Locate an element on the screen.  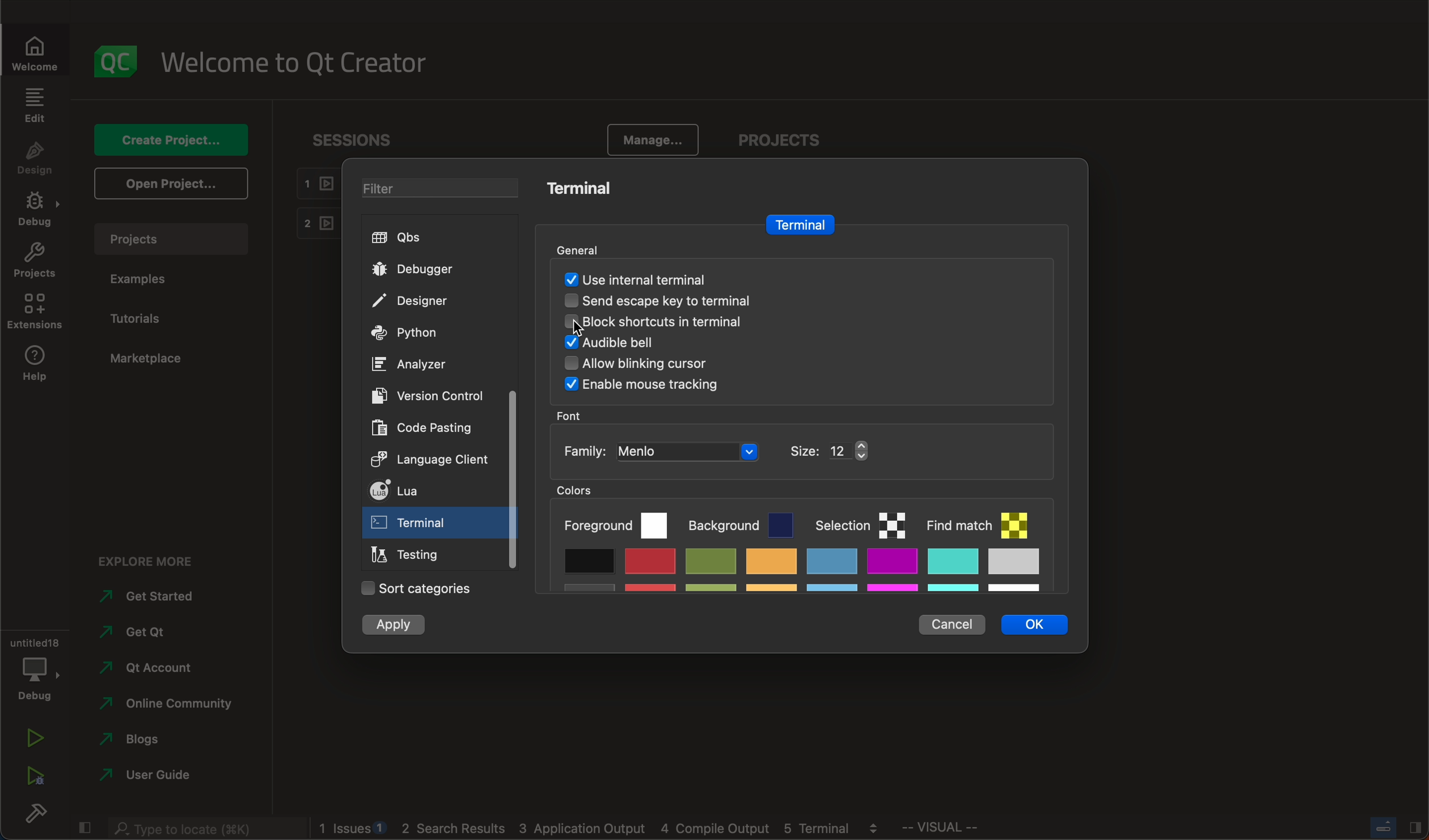
debug is located at coordinates (35, 669).